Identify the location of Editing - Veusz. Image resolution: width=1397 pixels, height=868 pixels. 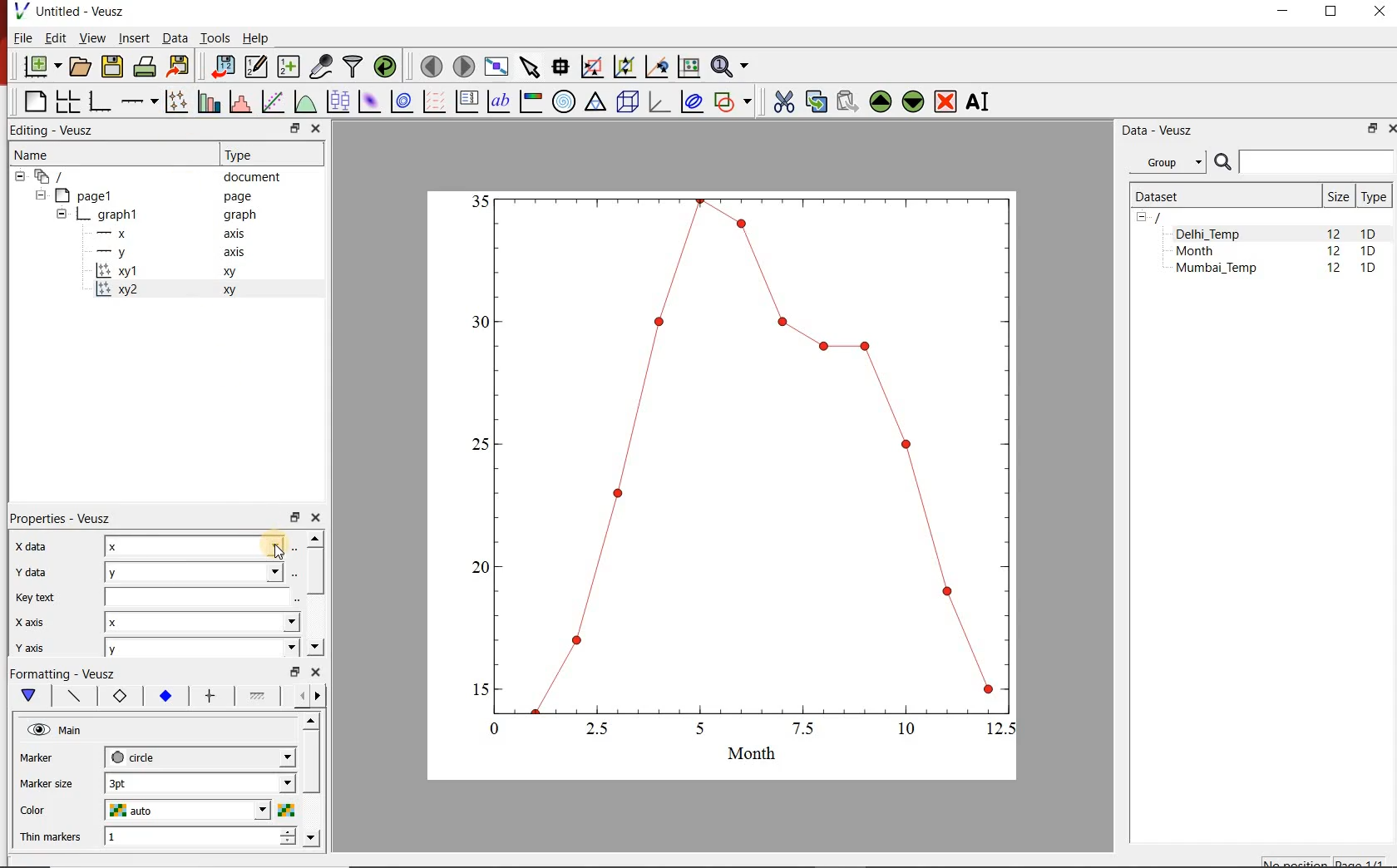
(62, 129).